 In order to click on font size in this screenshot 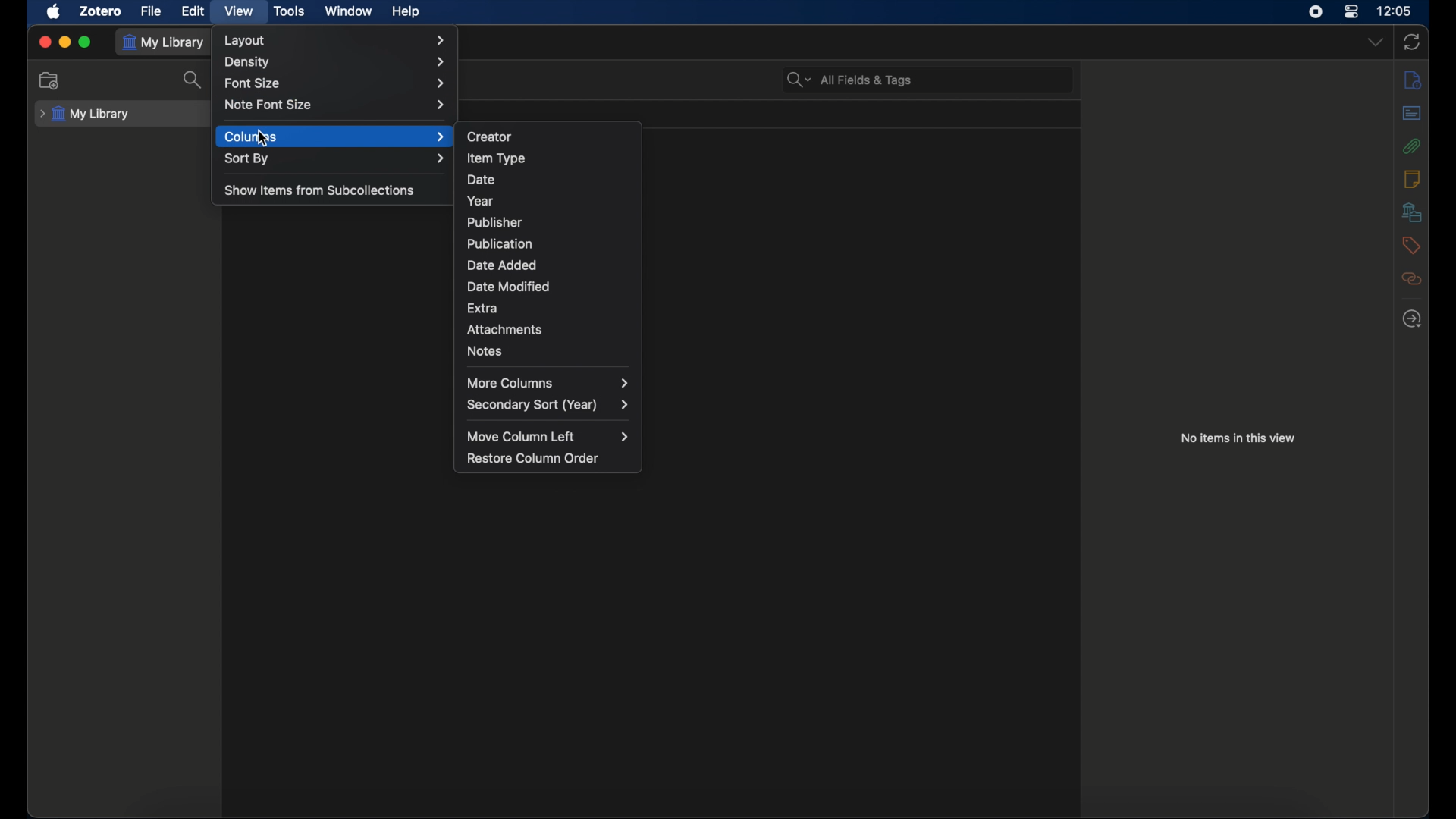, I will do `click(335, 82)`.